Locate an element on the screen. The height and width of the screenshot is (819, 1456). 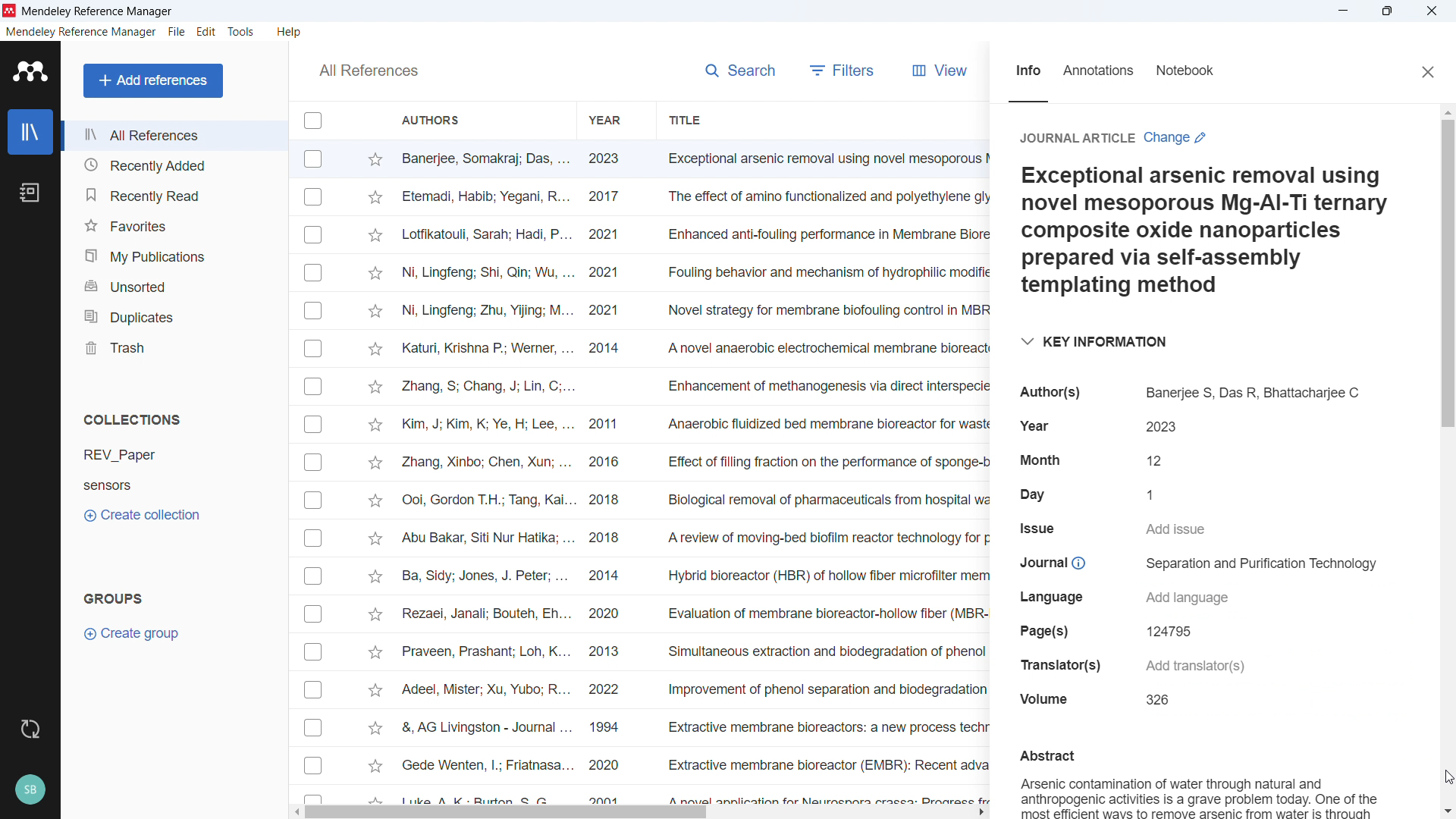
click to starmark individual entries is located at coordinates (375, 237).